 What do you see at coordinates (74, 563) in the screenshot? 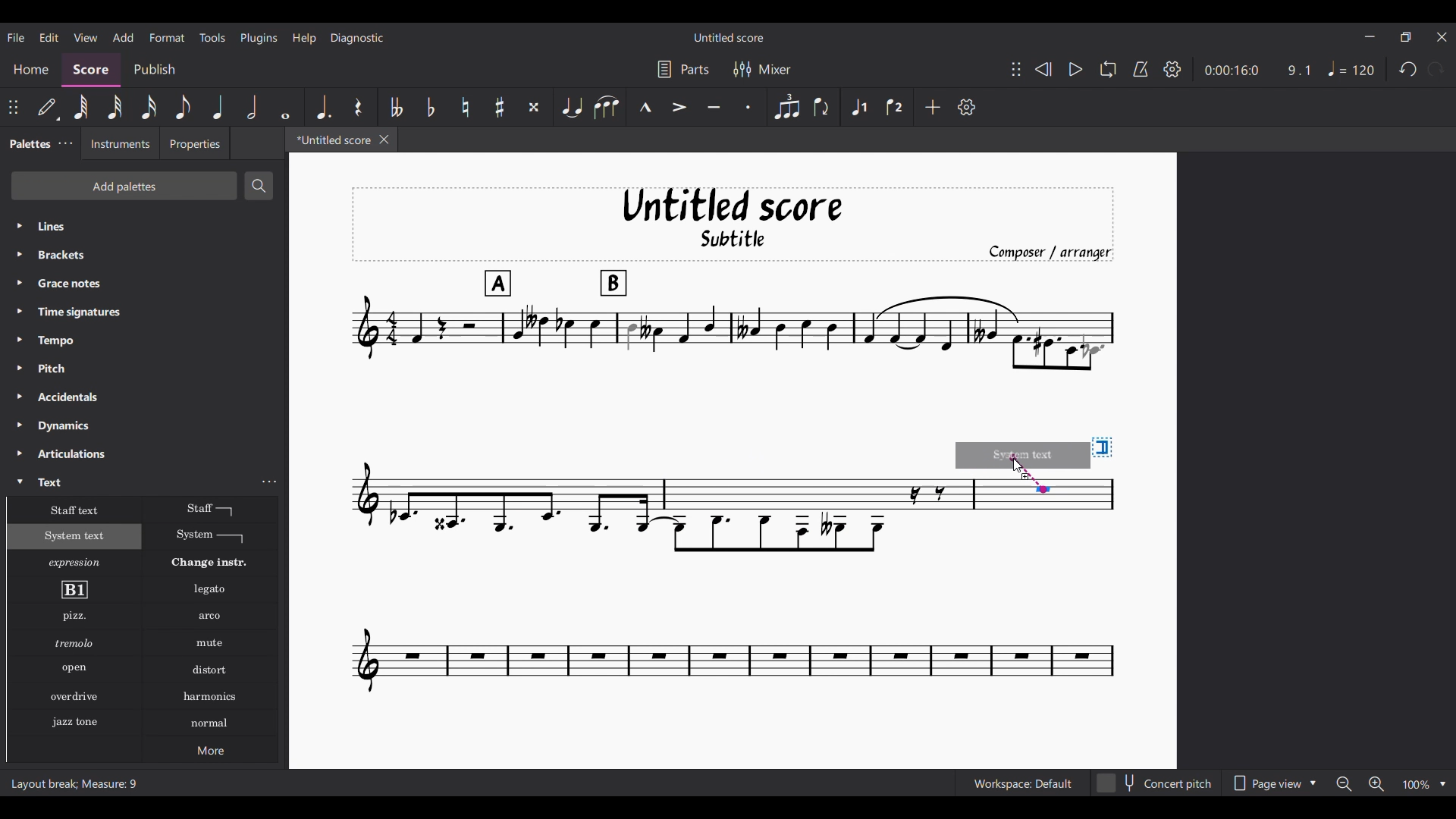
I see `Expression text` at bounding box center [74, 563].